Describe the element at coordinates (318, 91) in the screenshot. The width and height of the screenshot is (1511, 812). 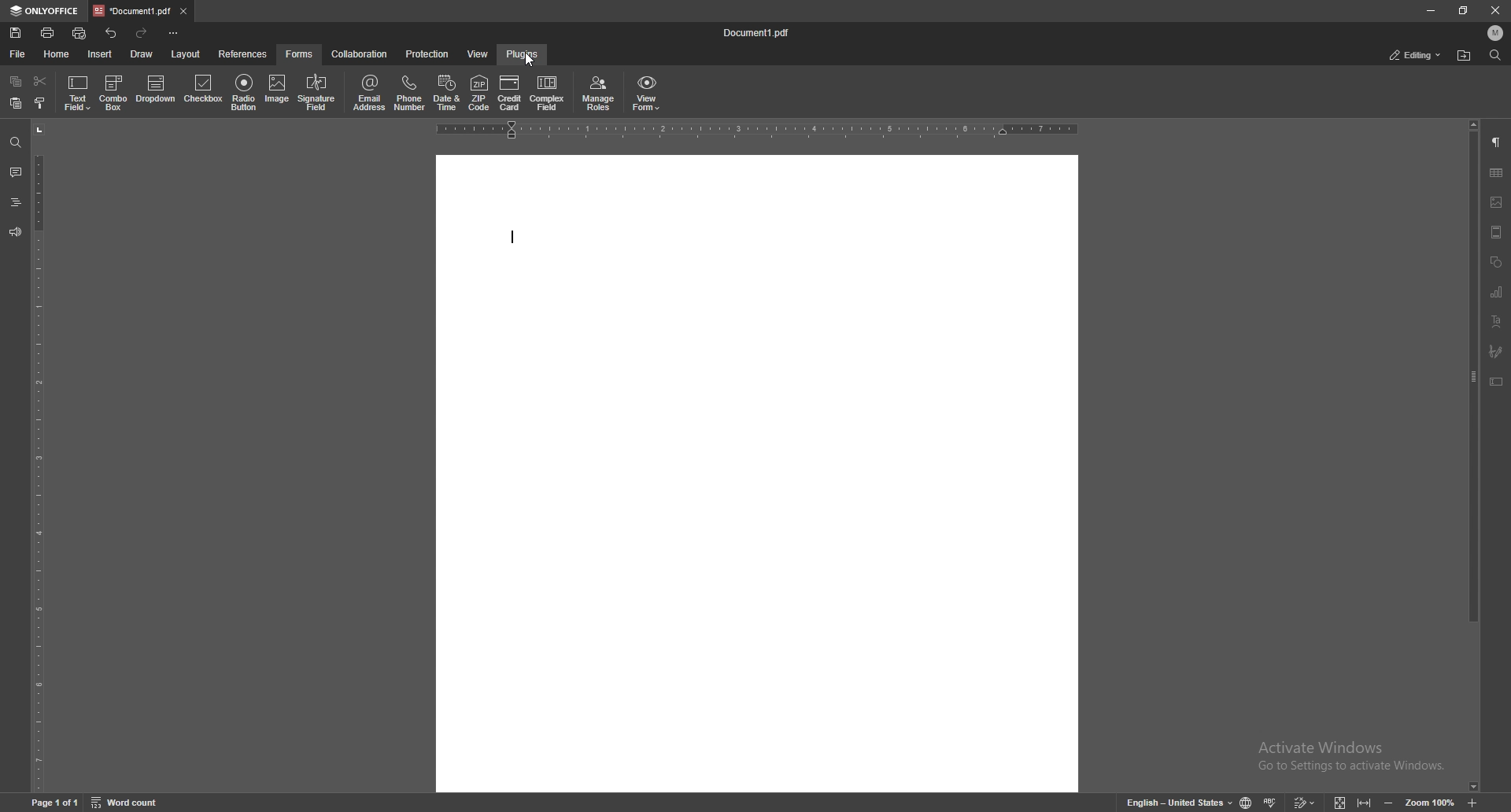
I see `signature field` at that location.